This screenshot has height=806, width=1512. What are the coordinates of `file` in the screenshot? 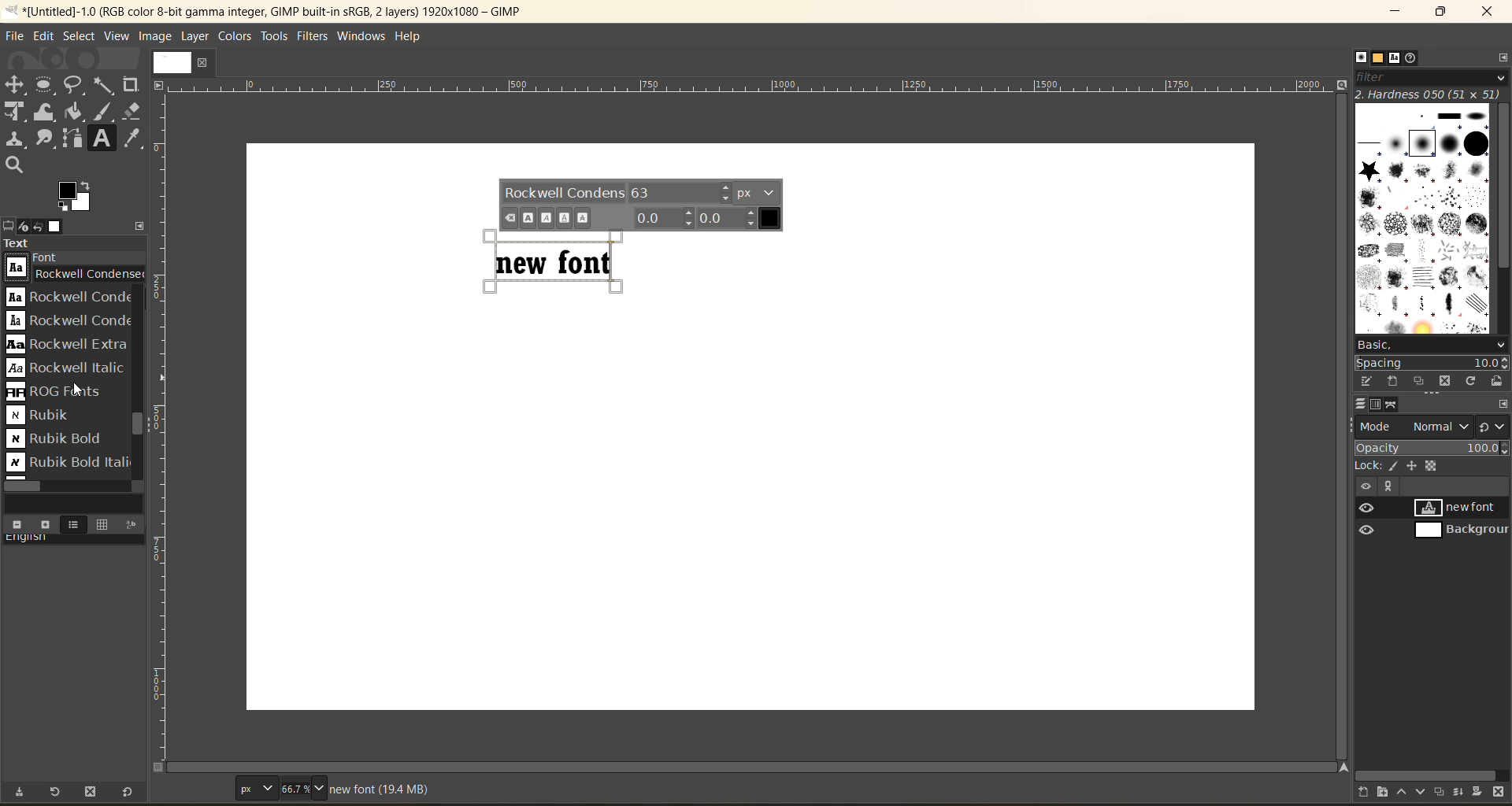 It's located at (17, 35).